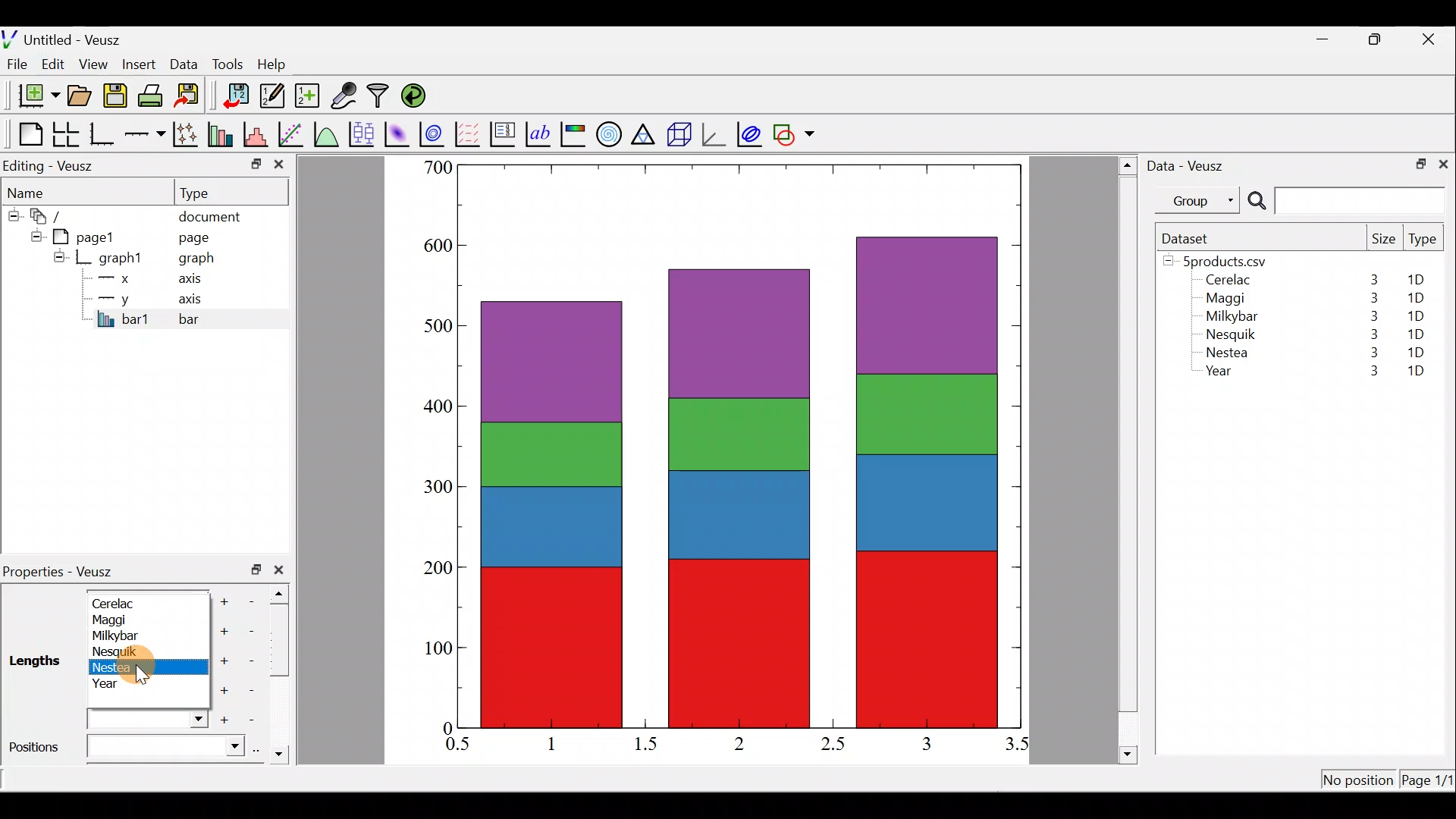  Describe the element at coordinates (1227, 300) in the screenshot. I see `Maggi` at that location.